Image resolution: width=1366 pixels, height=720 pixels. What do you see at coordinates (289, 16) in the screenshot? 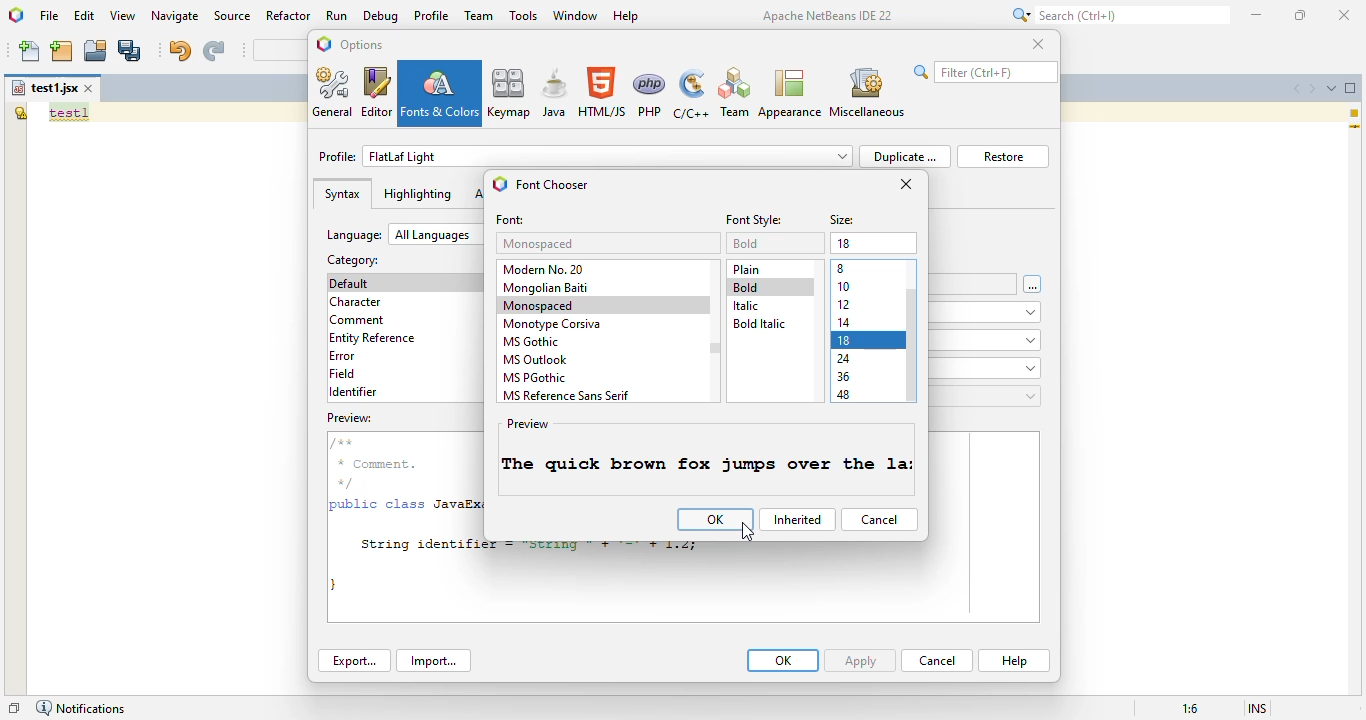
I see `refactor` at bounding box center [289, 16].